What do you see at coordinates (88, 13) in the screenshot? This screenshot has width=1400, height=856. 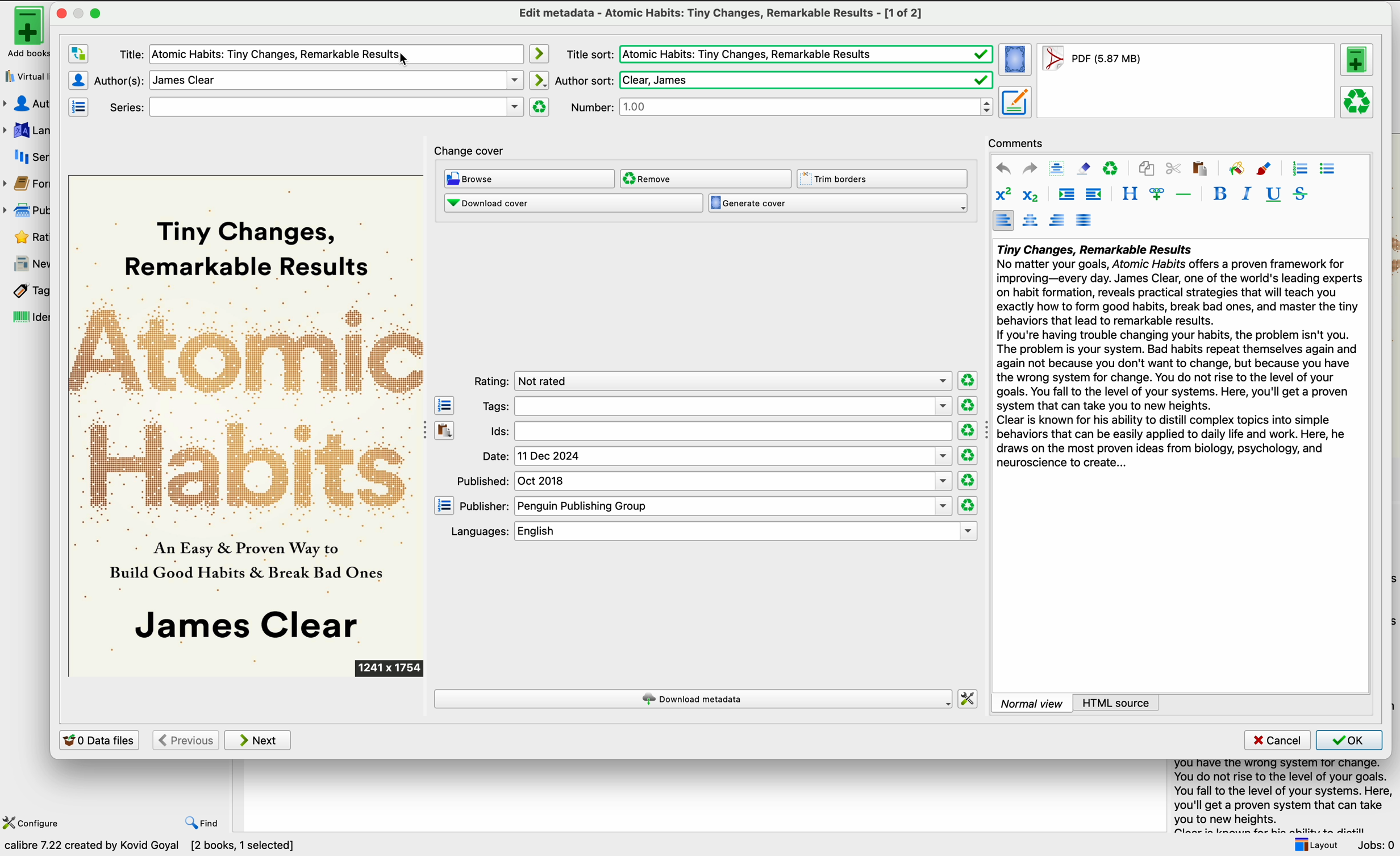 I see `maximize window` at bounding box center [88, 13].